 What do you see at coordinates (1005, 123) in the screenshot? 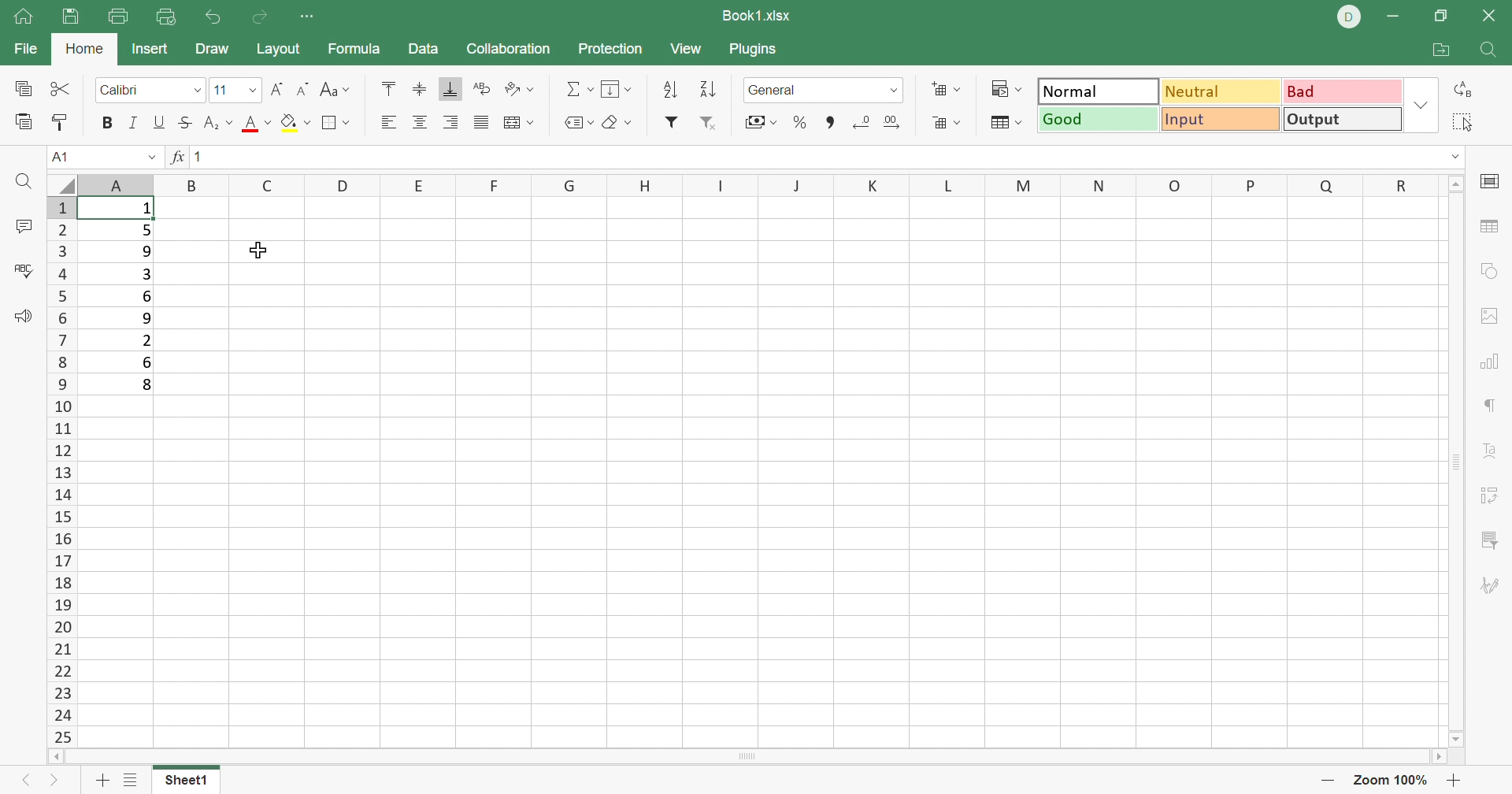
I see `Format table as template` at bounding box center [1005, 123].